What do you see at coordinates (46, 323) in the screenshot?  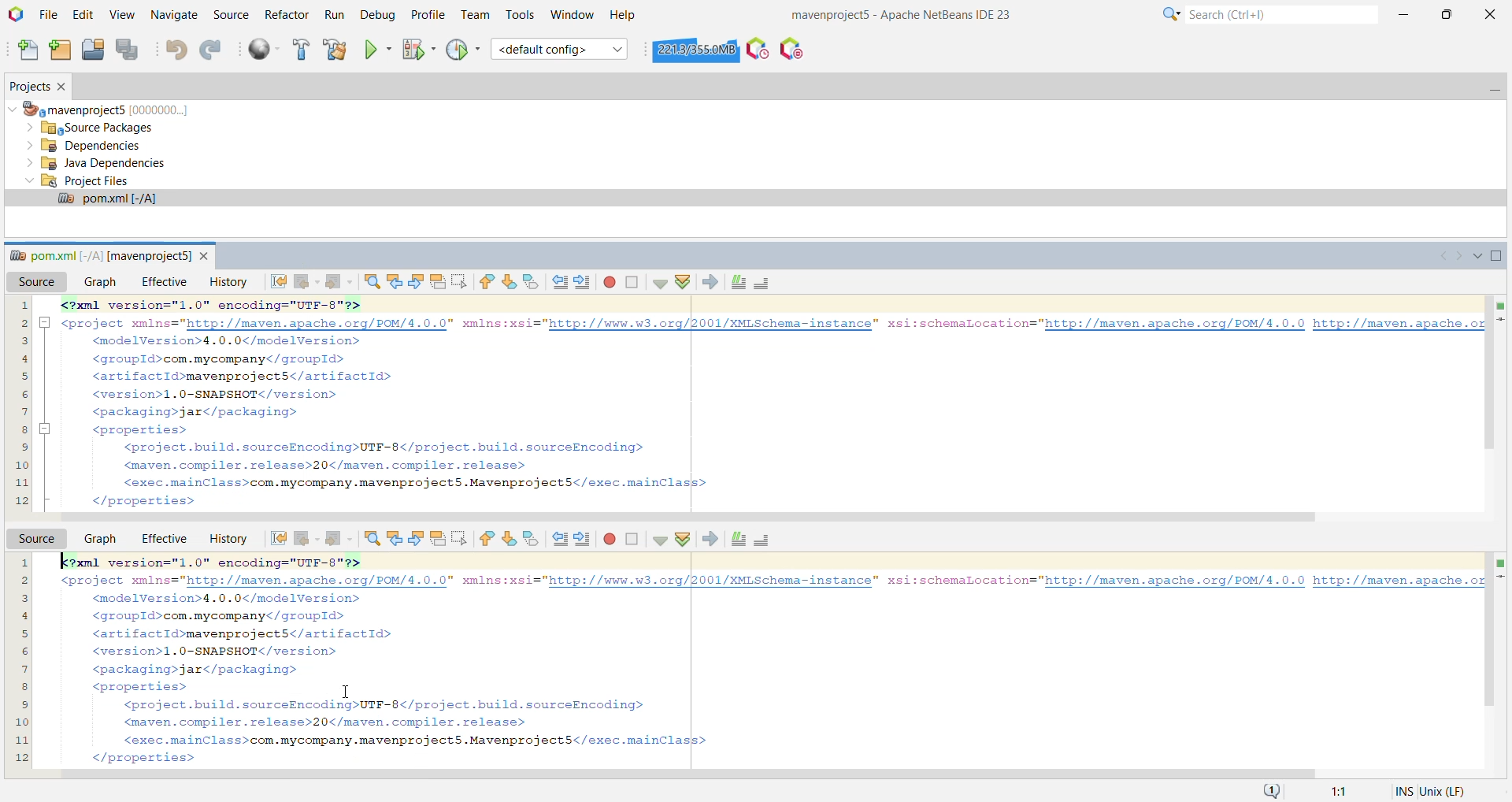 I see `minimise` at bounding box center [46, 323].